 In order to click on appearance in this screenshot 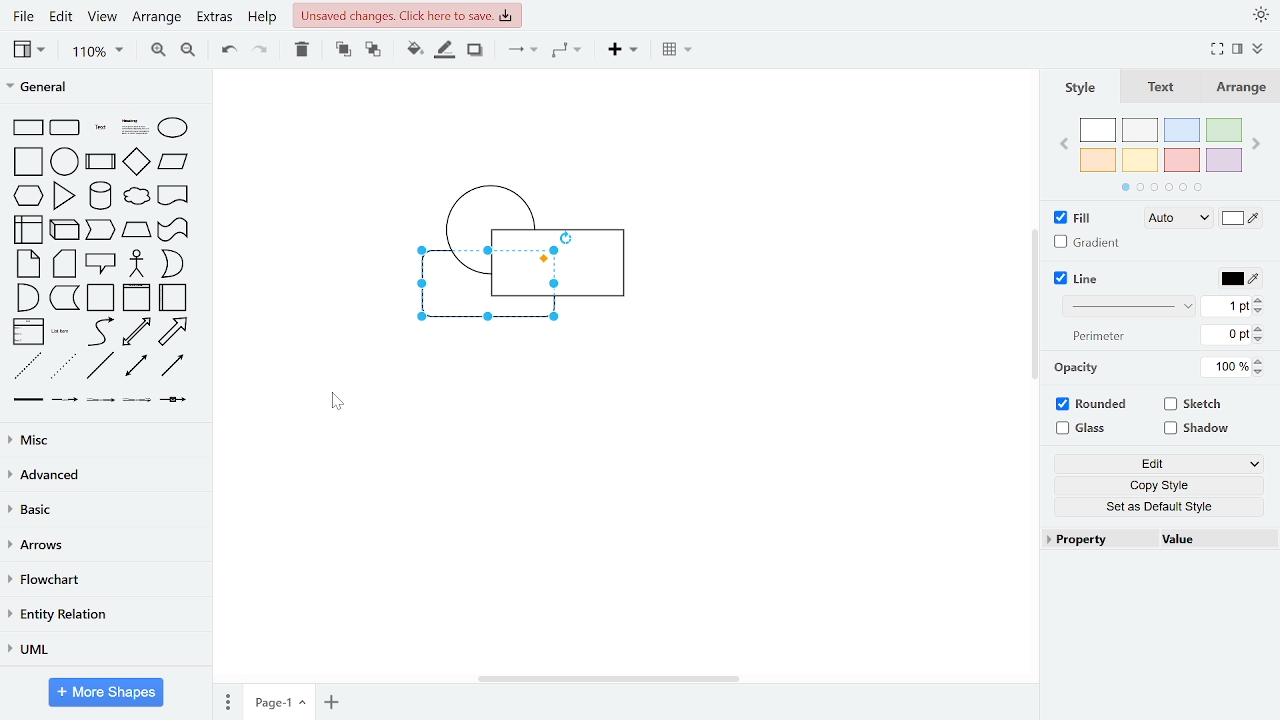, I will do `click(1258, 16)`.